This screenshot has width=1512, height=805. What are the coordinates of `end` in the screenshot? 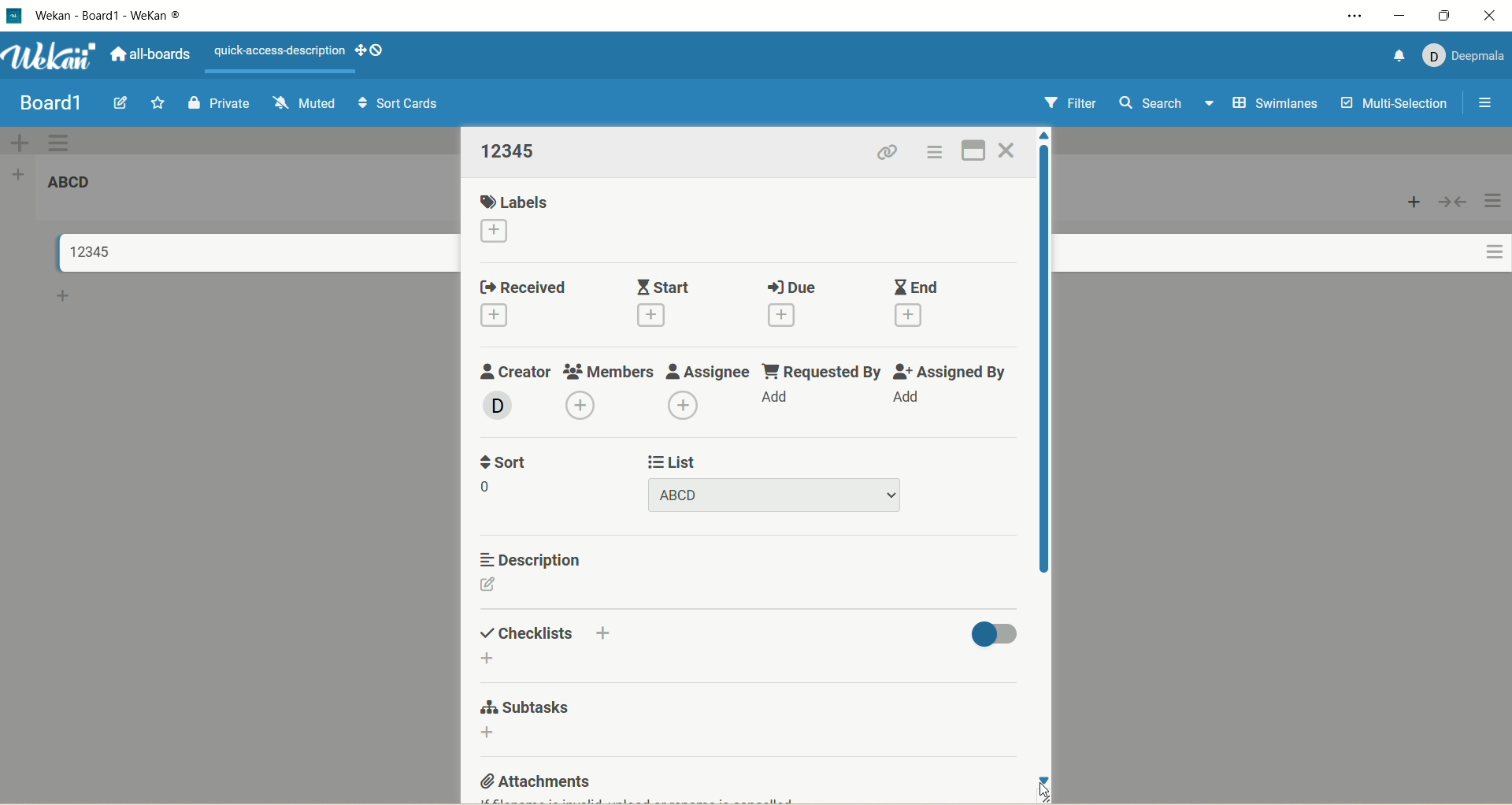 It's located at (913, 287).